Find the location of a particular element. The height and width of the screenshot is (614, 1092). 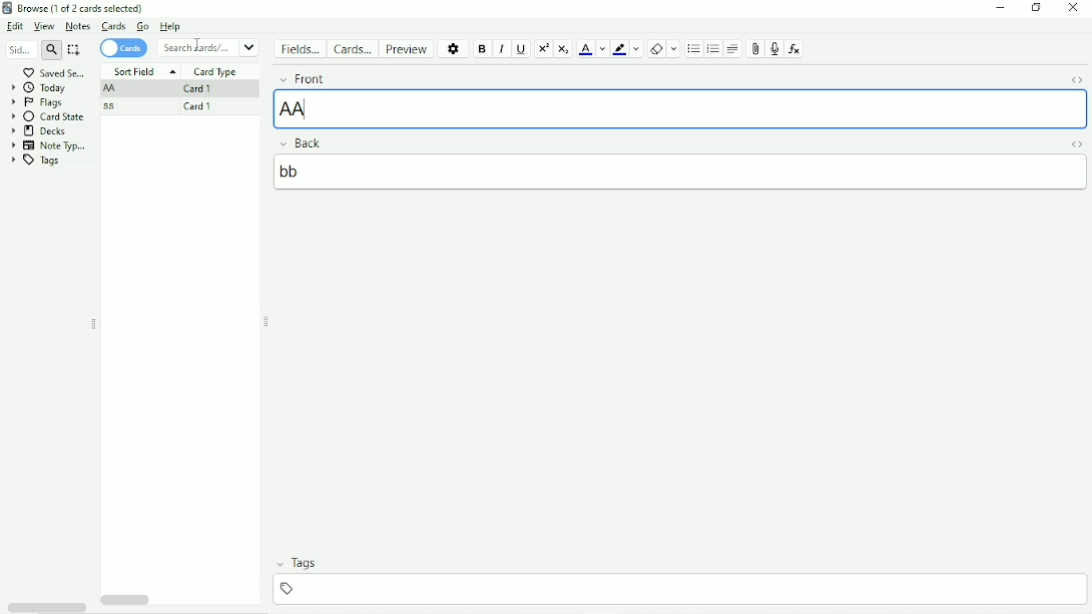

Italic is located at coordinates (501, 49).